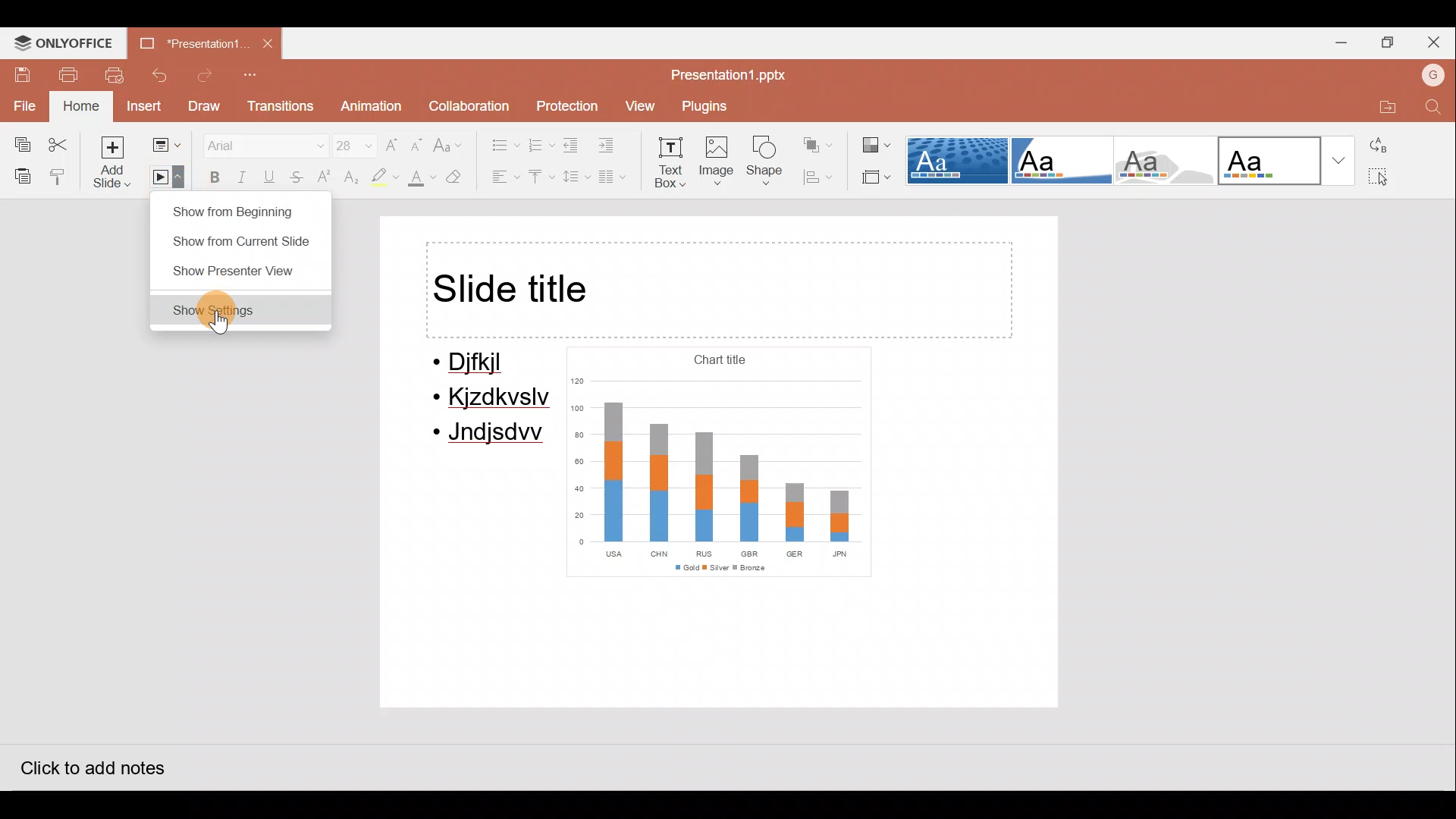 This screenshot has width=1456, height=819. I want to click on Title, so click(719, 290).